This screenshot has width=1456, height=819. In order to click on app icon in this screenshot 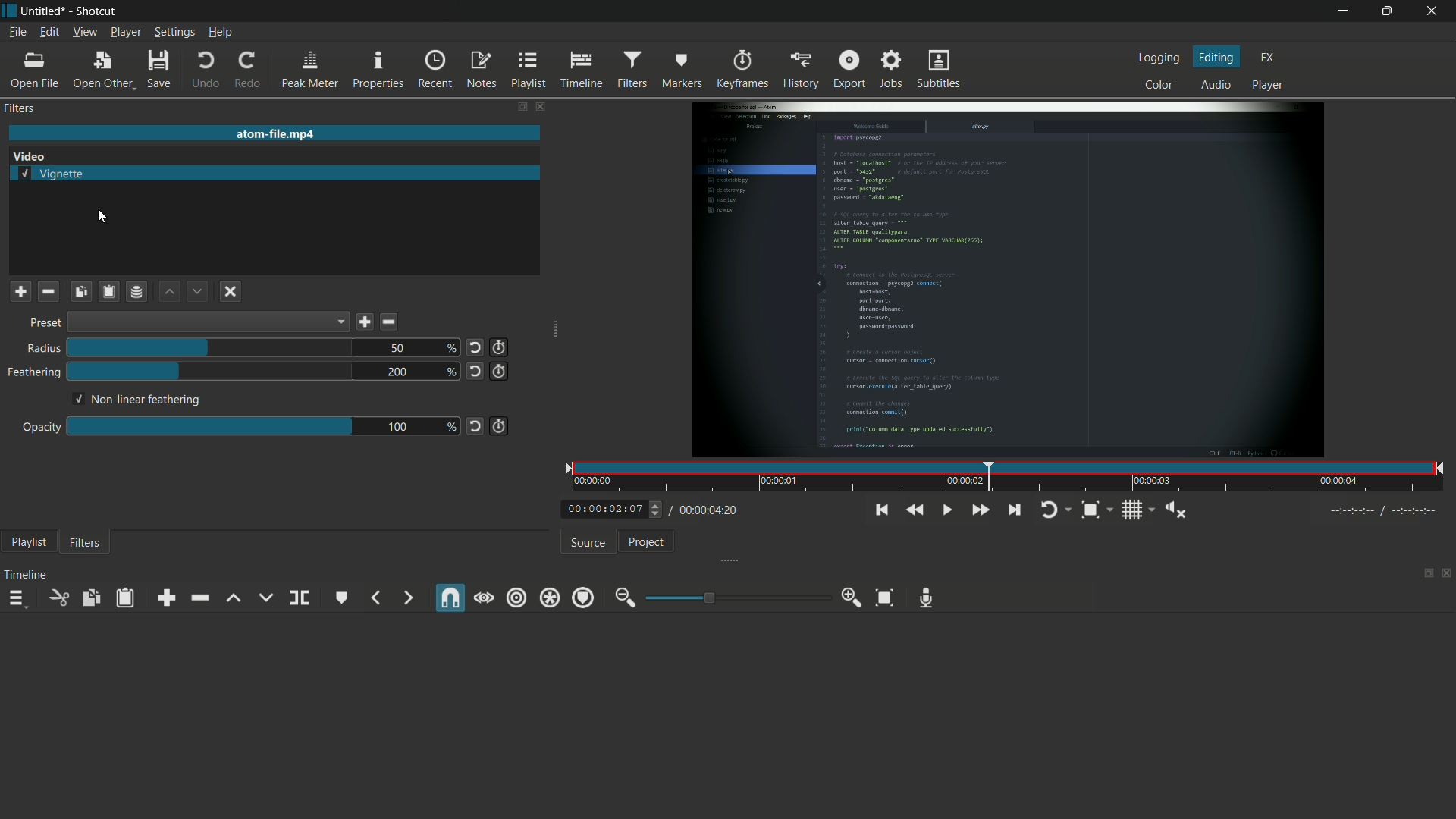, I will do `click(11, 13)`.